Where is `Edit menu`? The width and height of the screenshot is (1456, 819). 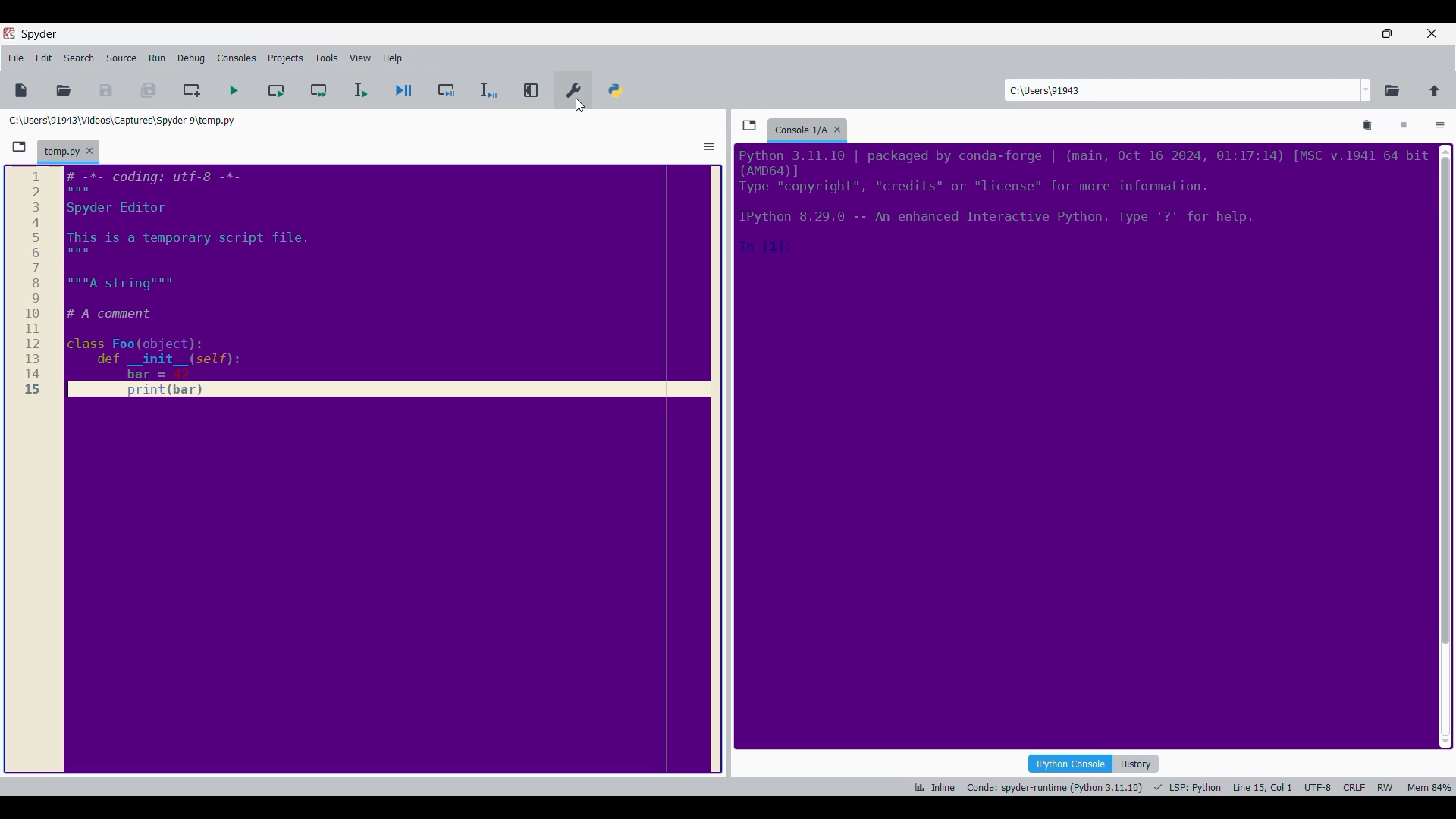 Edit menu is located at coordinates (44, 58).